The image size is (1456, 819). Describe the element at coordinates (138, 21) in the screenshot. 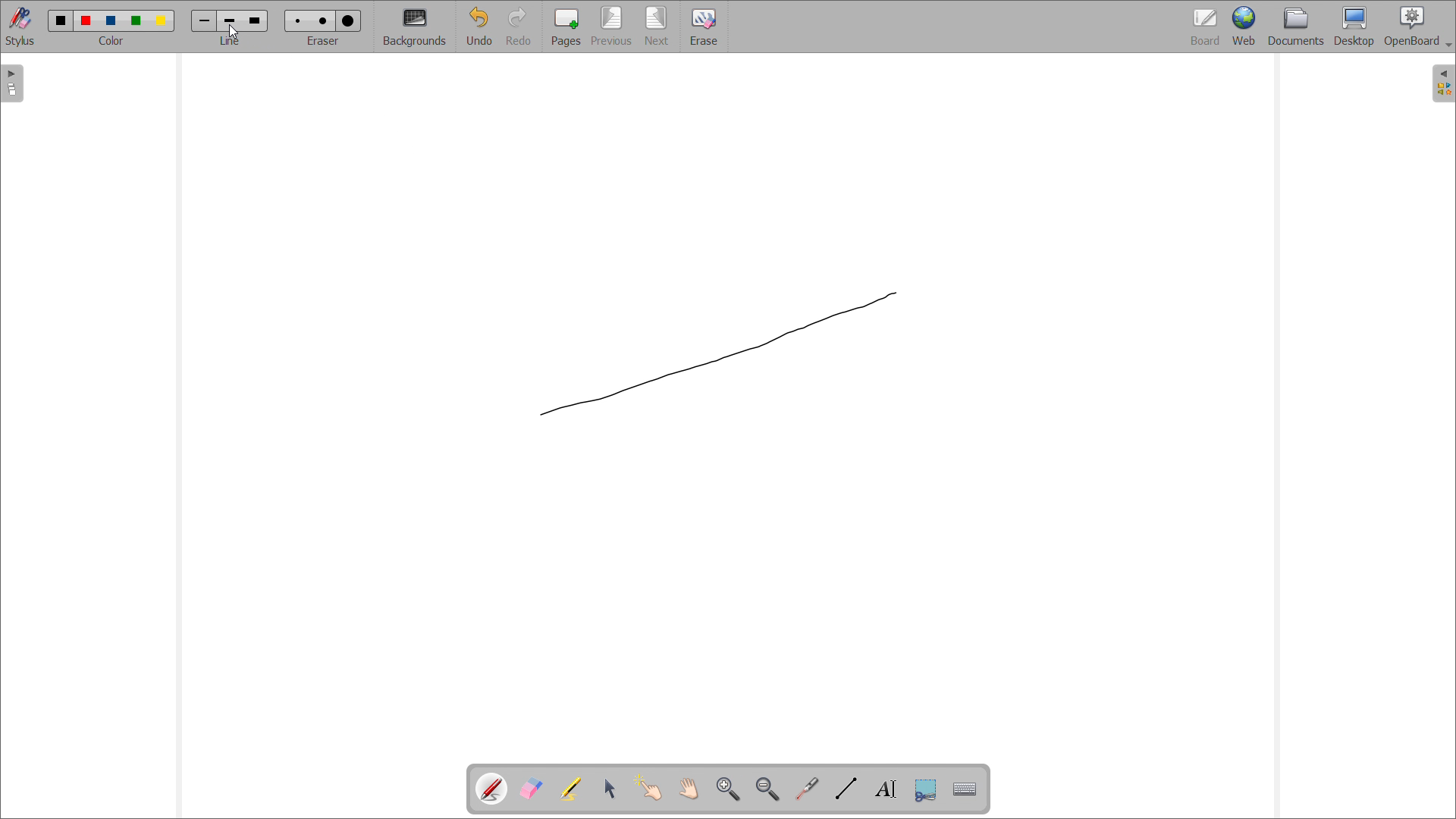

I see `color` at that location.